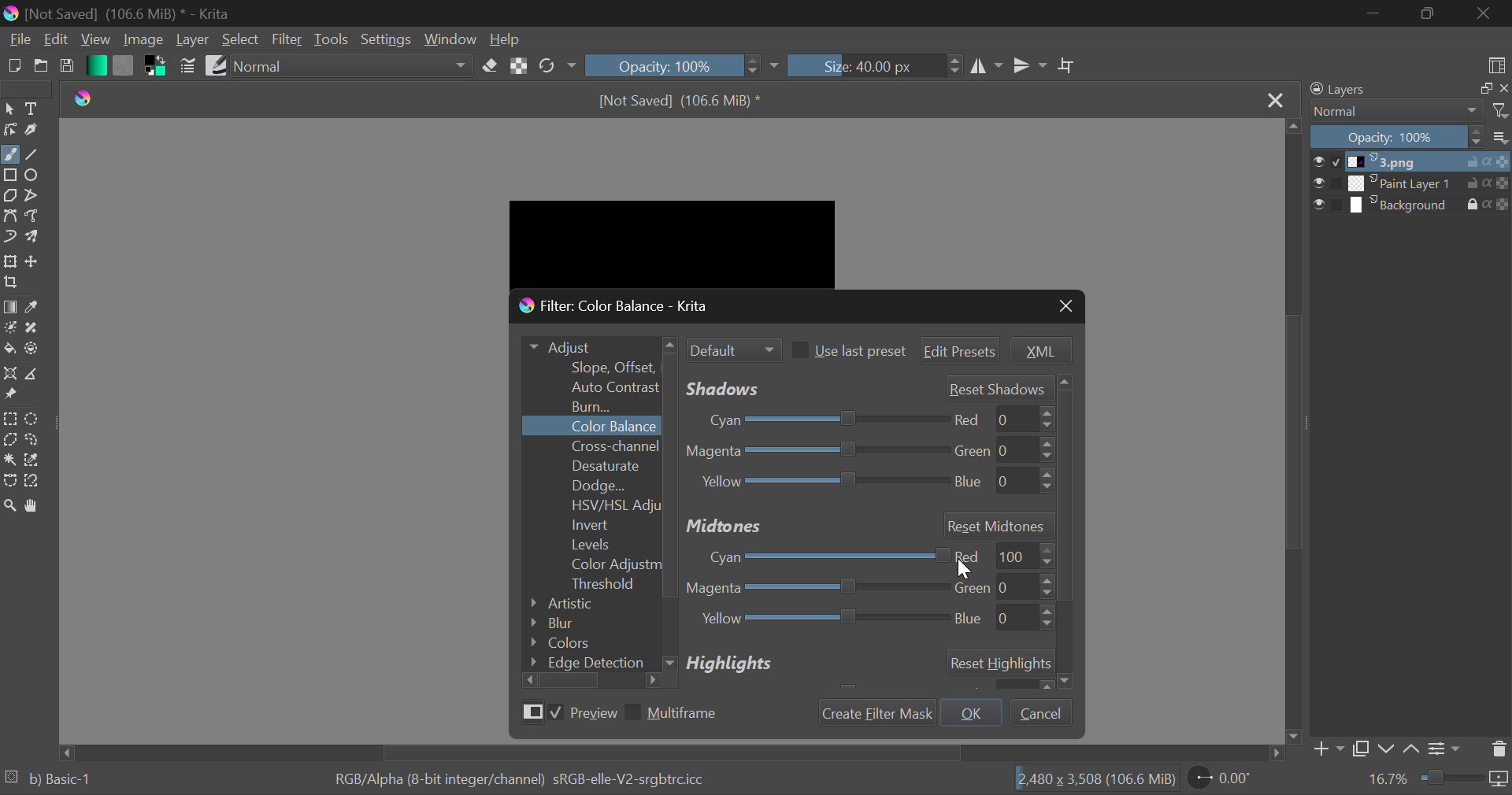 The height and width of the screenshot is (795, 1512). What do you see at coordinates (684, 64) in the screenshot?
I see `Opacity 100%` at bounding box center [684, 64].